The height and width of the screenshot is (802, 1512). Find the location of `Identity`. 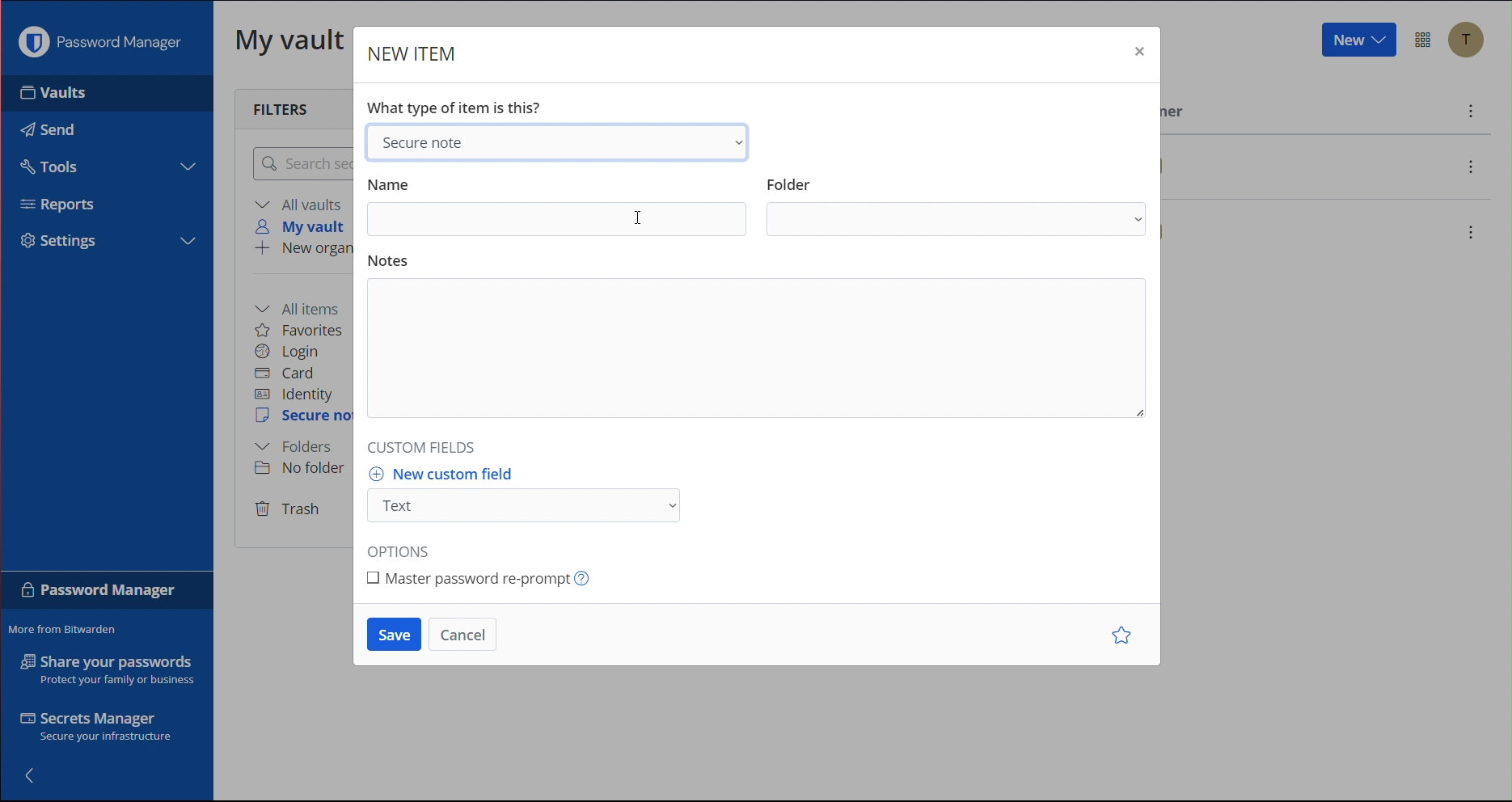

Identity is located at coordinates (298, 394).